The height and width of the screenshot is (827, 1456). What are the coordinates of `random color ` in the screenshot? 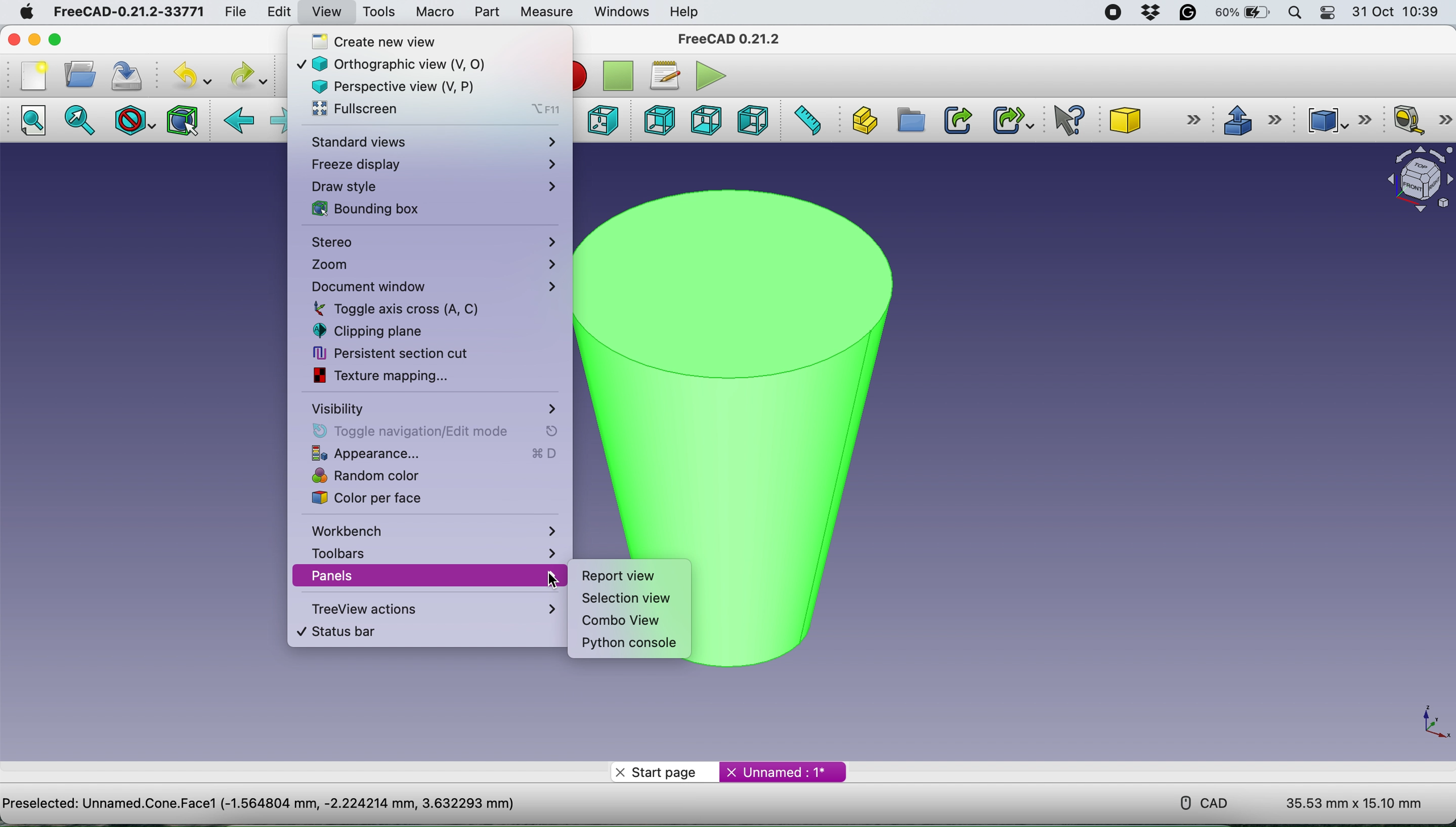 It's located at (421, 477).